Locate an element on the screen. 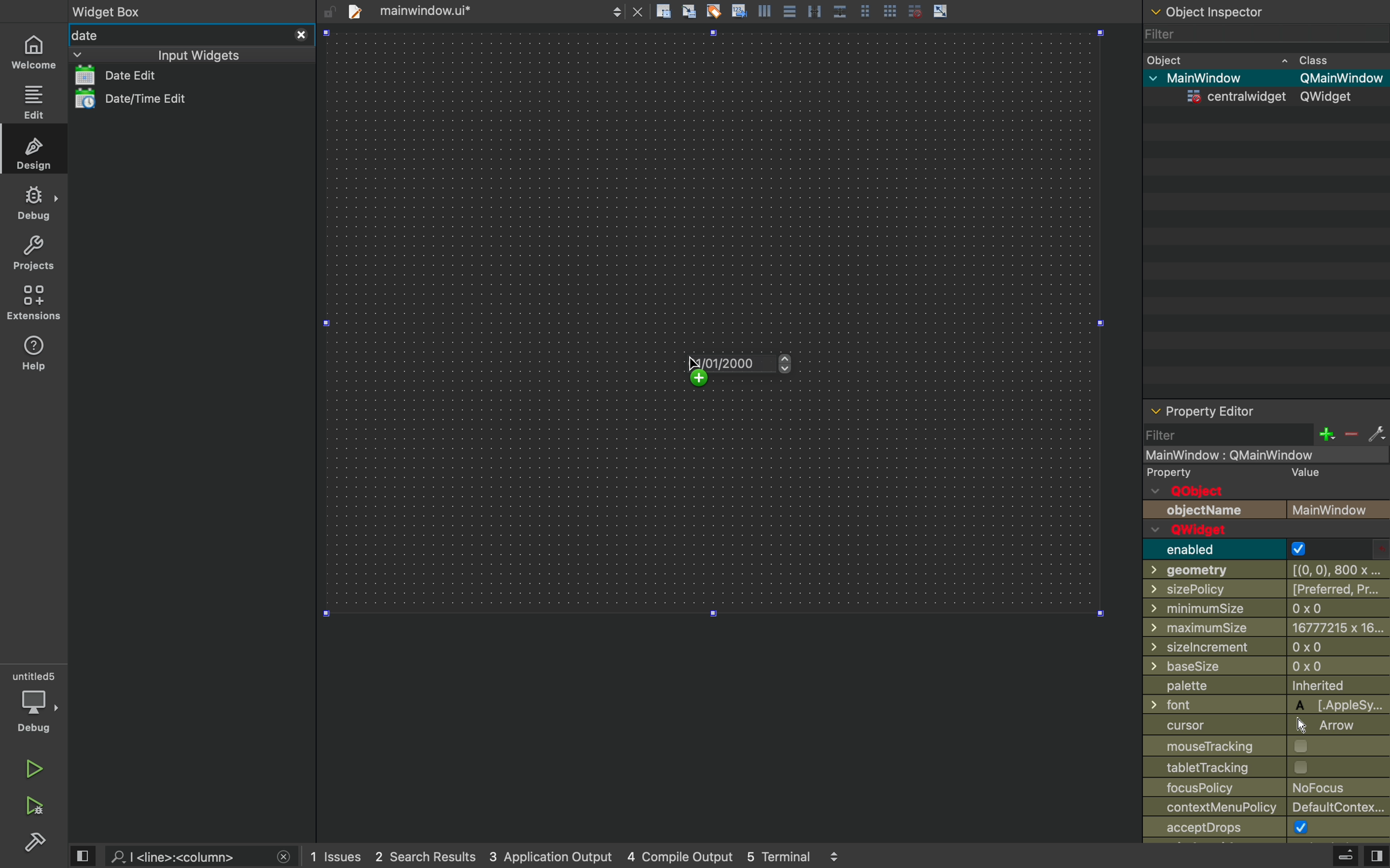  minimussize is located at coordinates (1261, 610).